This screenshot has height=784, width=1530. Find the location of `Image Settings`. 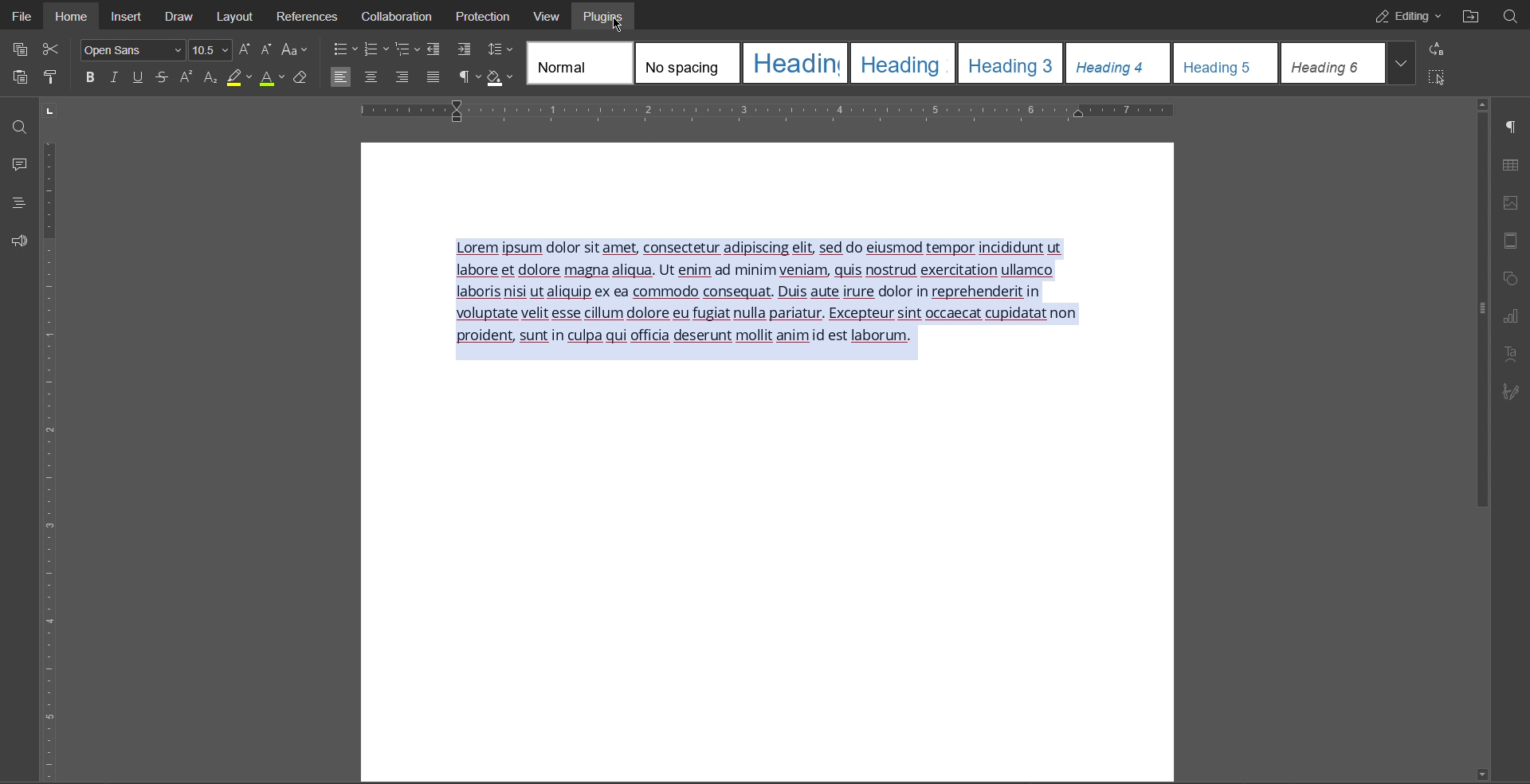

Image Settings is located at coordinates (1509, 203).